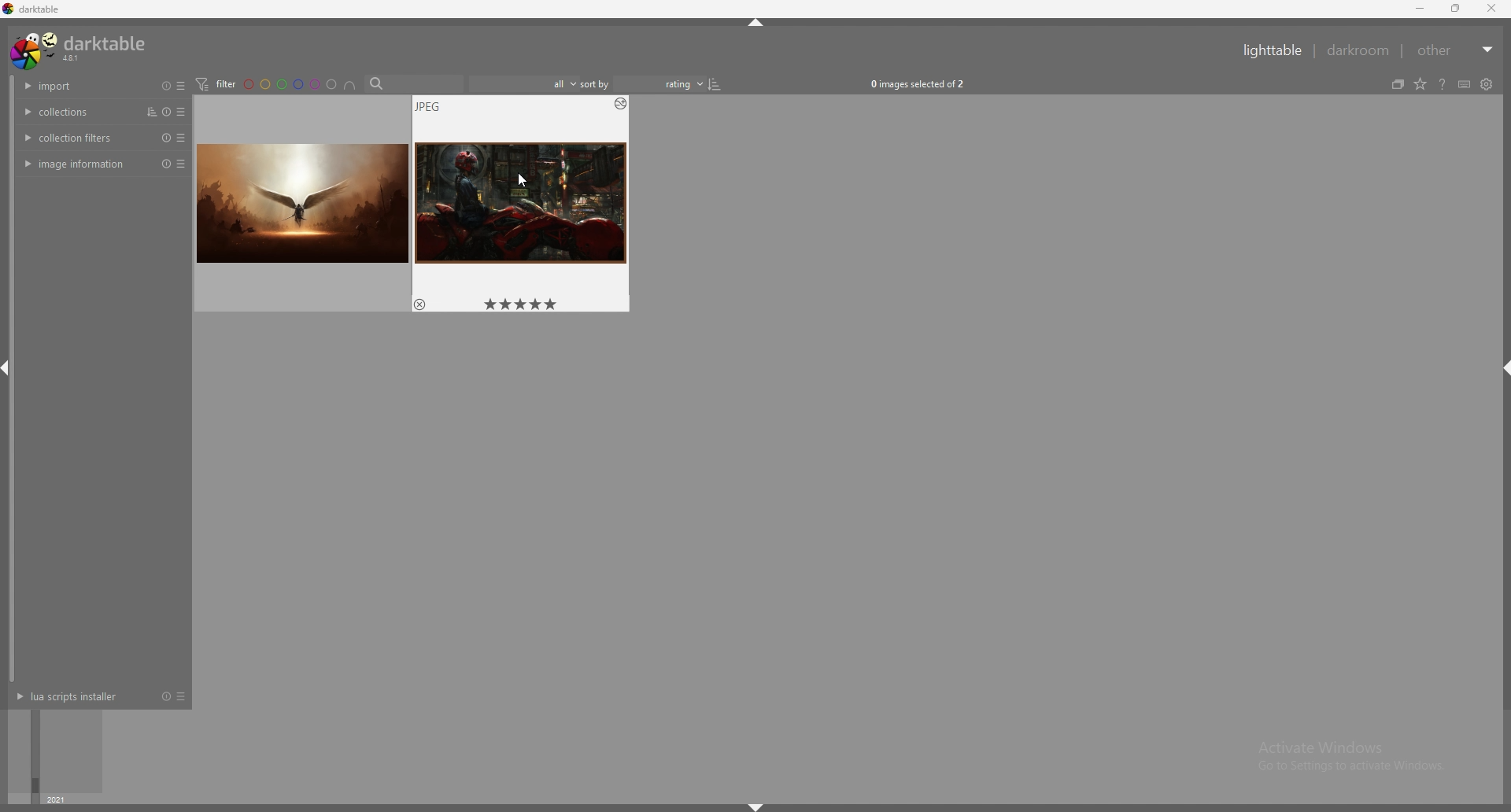 The width and height of the screenshot is (1511, 812). Describe the element at coordinates (412, 83) in the screenshot. I see `search bar` at that location.